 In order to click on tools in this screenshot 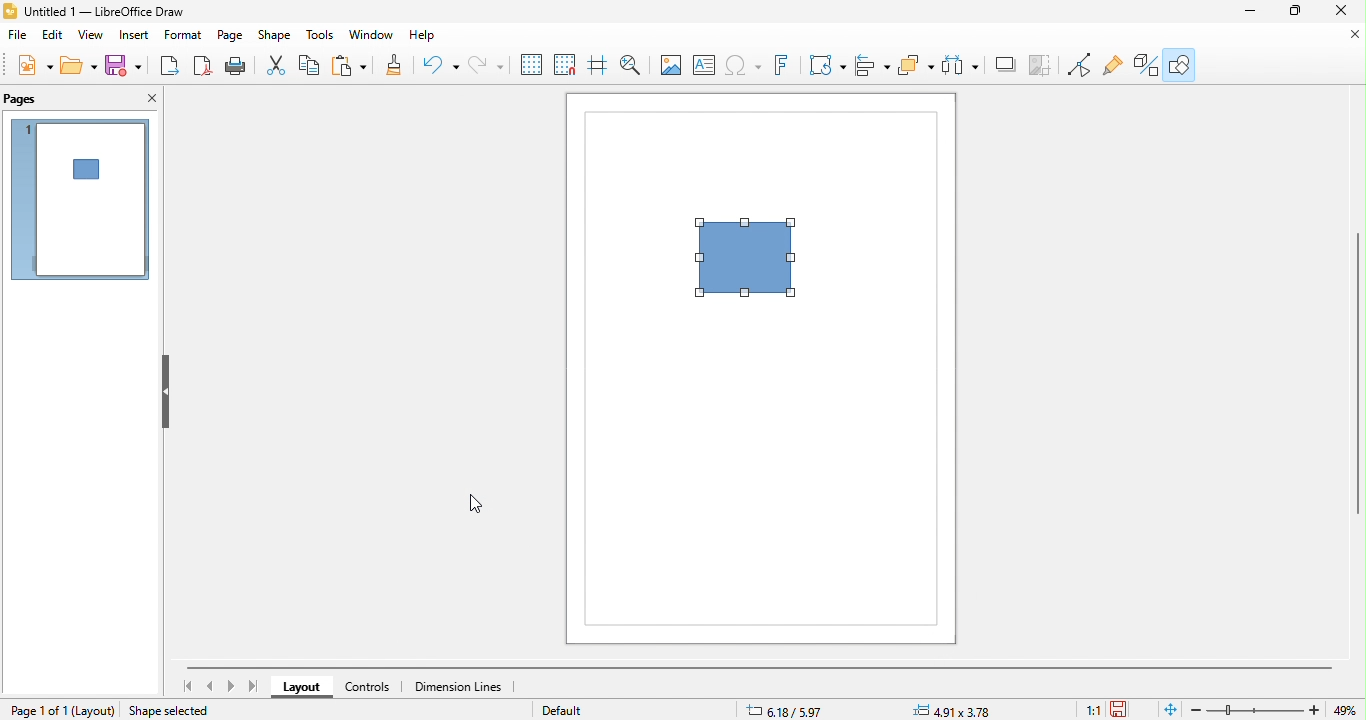, I will do `click(321, 37)`.